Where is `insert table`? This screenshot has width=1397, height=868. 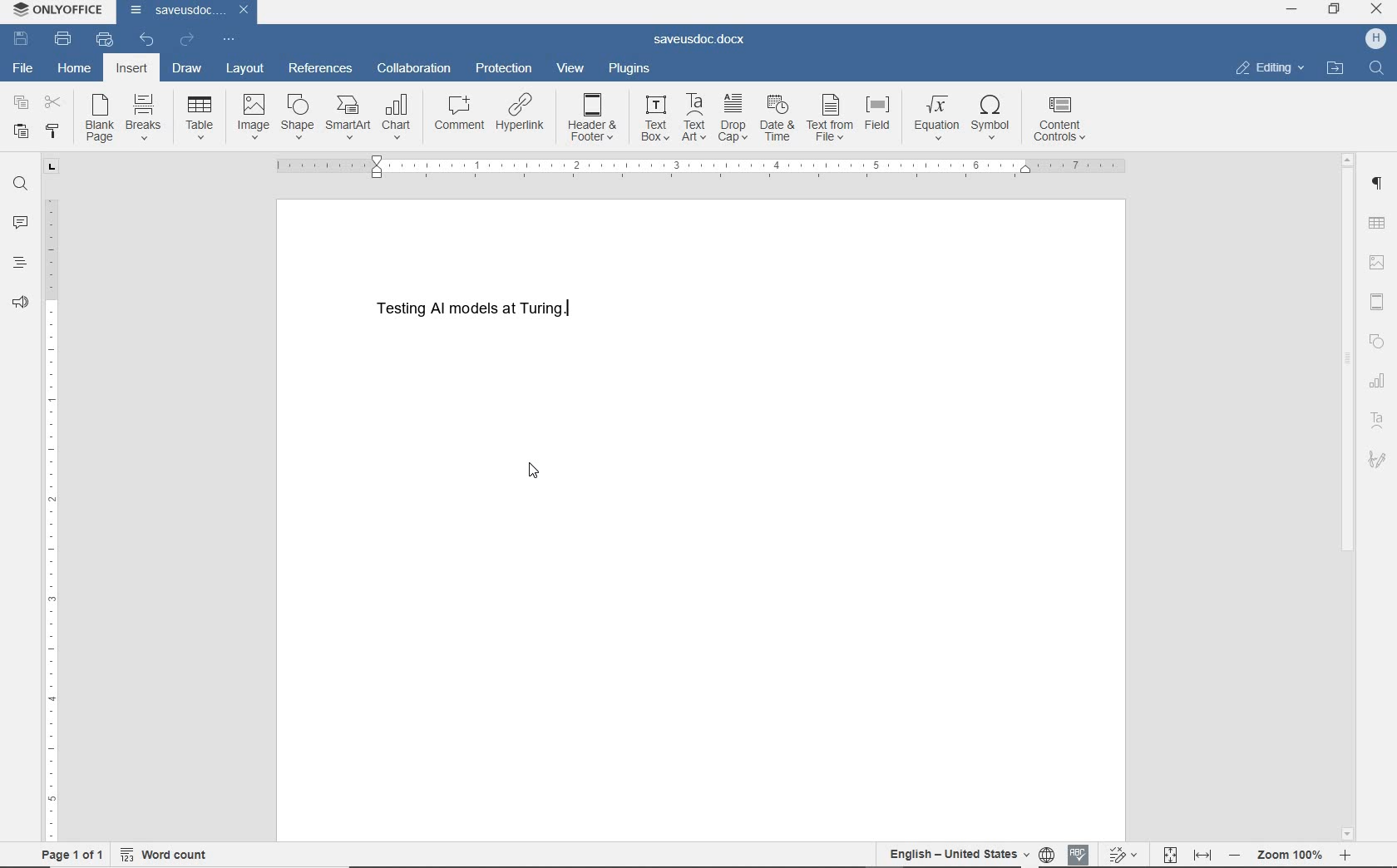
insert table is located at coordinates (1378, 223).